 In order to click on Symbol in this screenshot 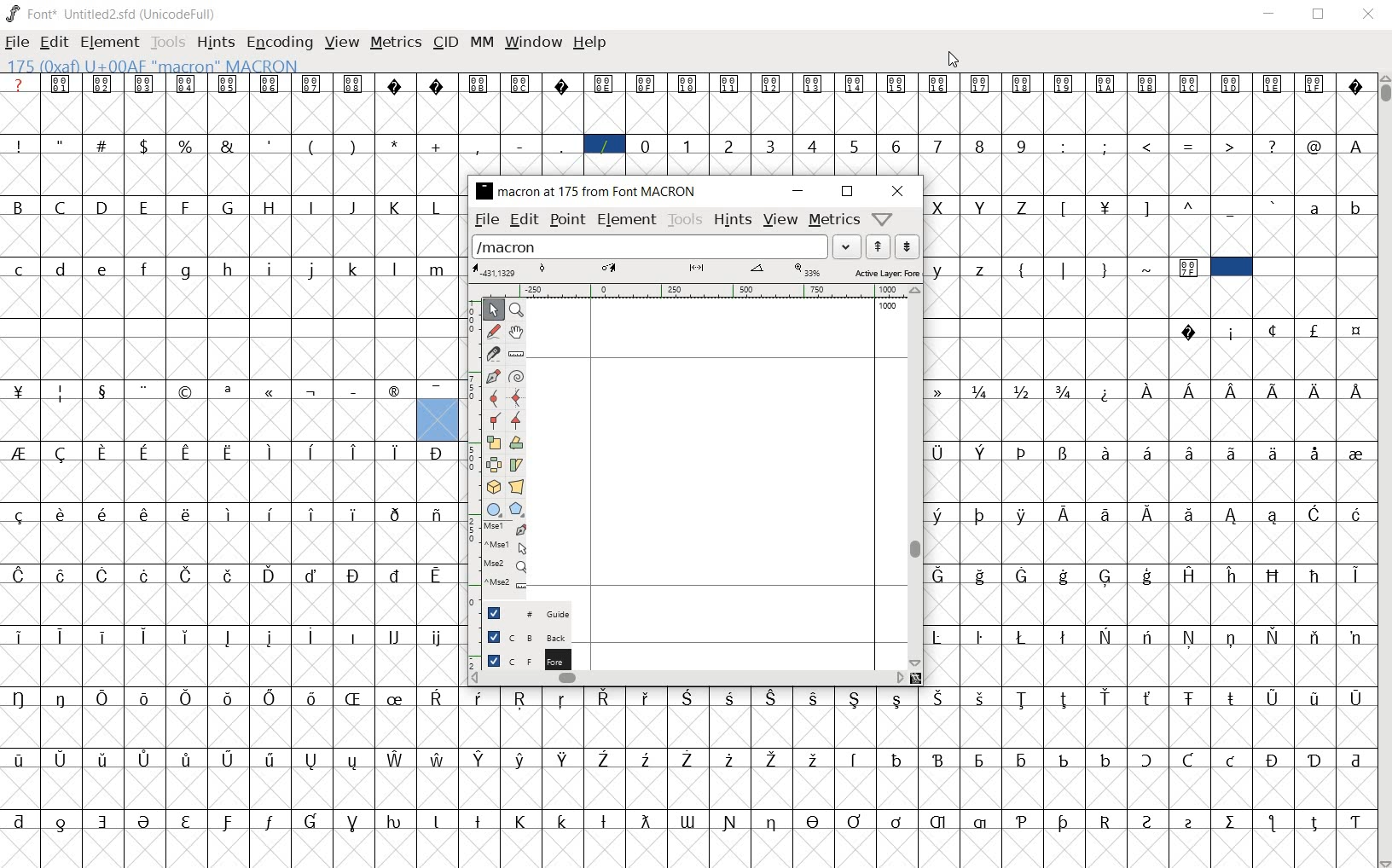, I will do `click(687, 758)`.